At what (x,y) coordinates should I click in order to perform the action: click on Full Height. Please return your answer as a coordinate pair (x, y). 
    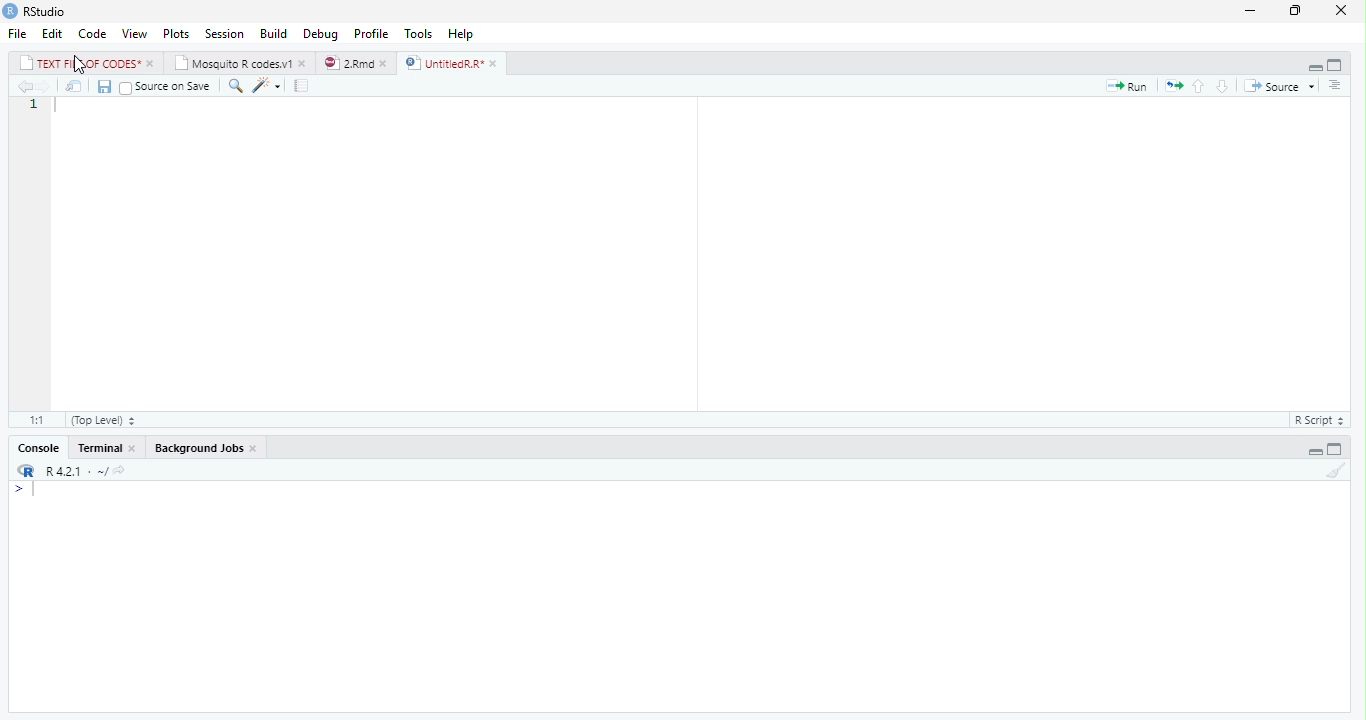
    Looking at the image, I should click on (1338, 64).